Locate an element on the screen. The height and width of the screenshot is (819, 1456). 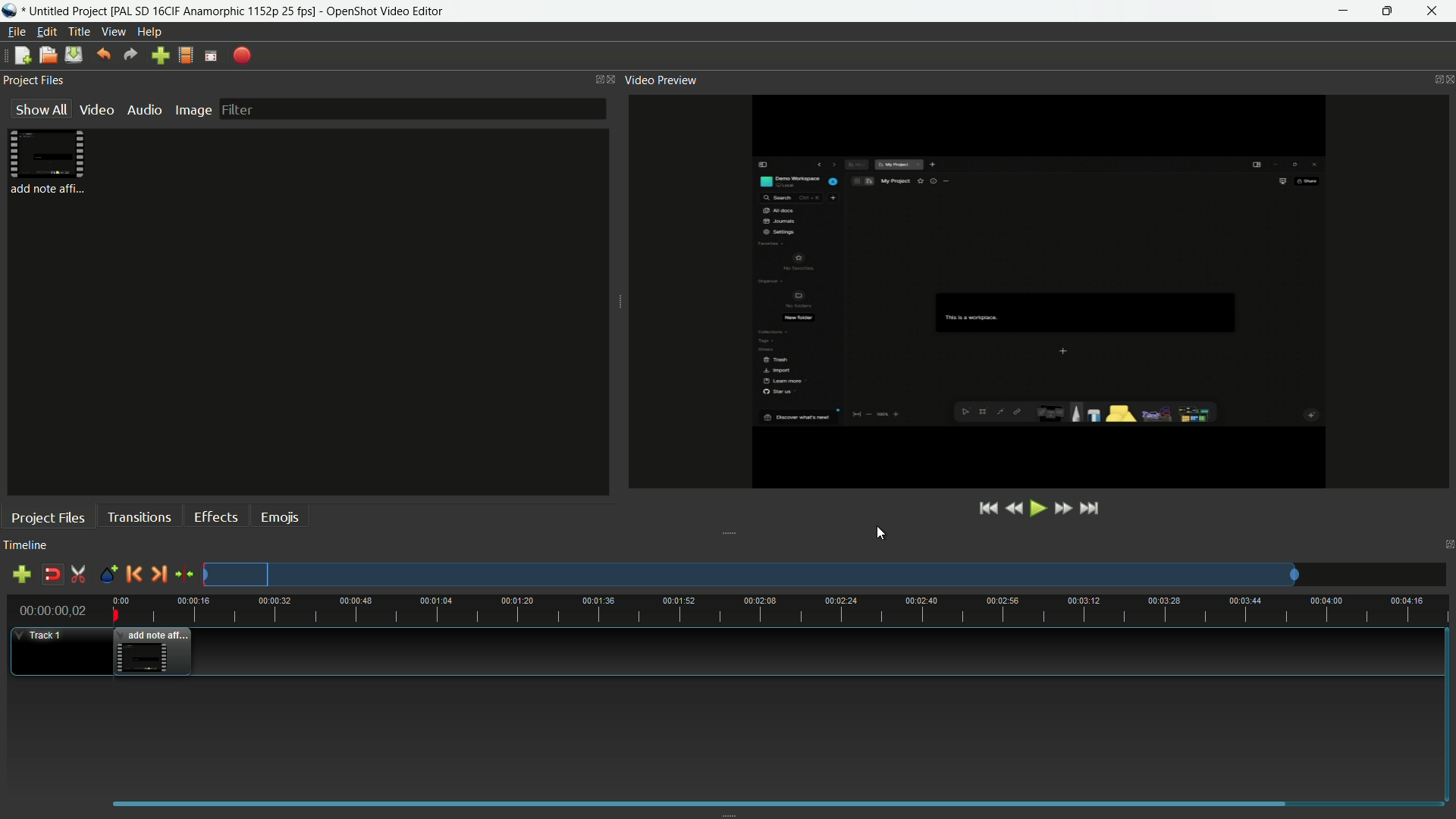
video preview is located at coordinates (661, 81).